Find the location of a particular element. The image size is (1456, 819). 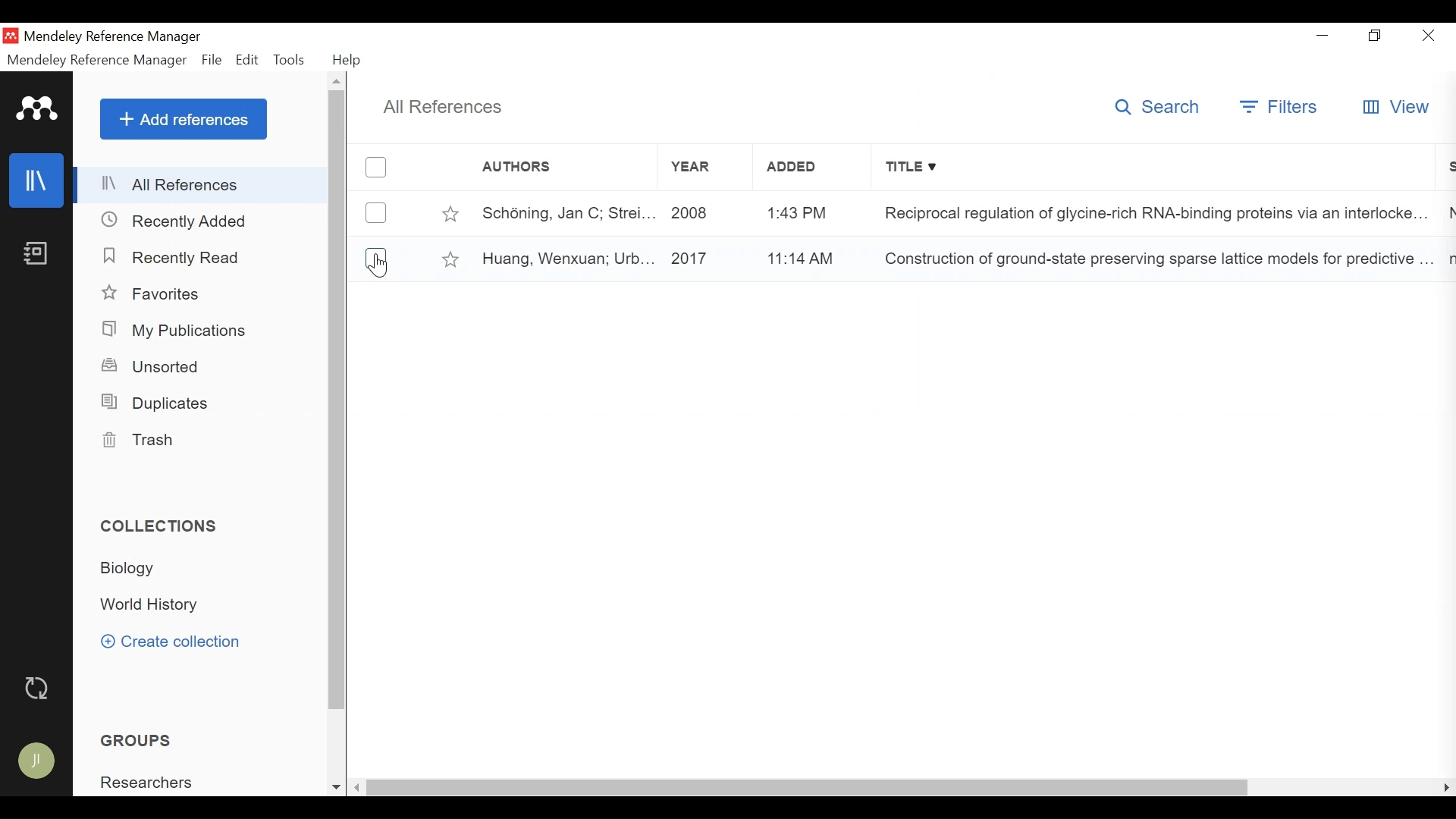

Trash is located at coordinates (143, 441).